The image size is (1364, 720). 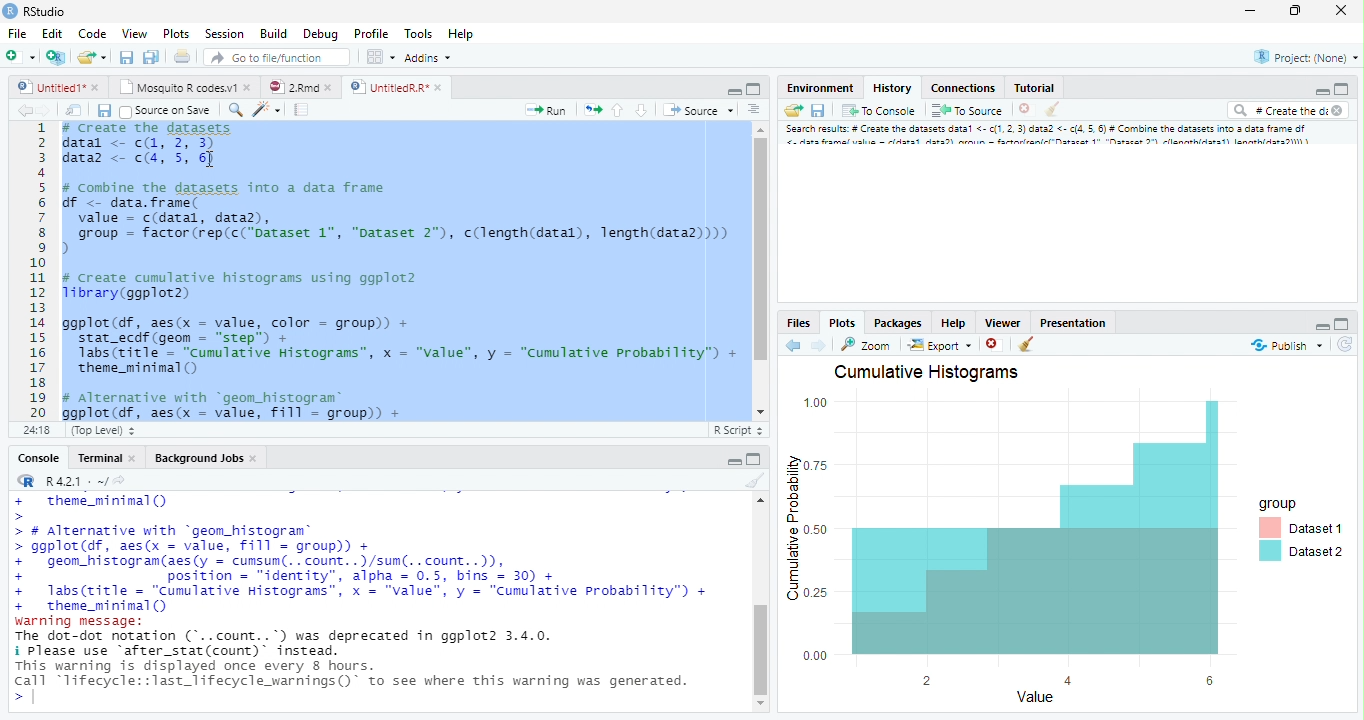 What do you see at coordinates (43, 114) in the screenshot?
I see `Next` at bounding box center [43, 114].